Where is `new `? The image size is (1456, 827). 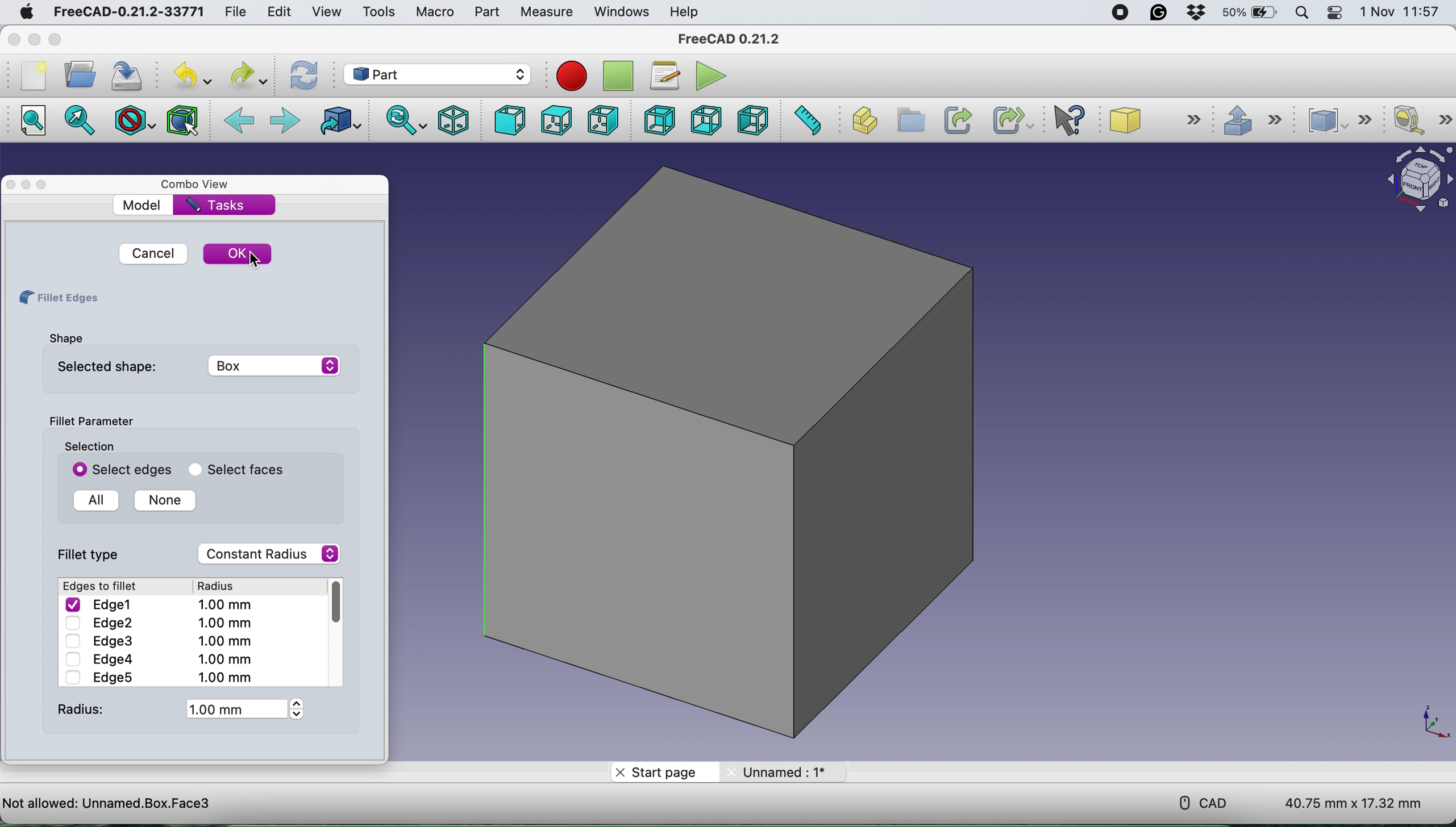 new  is located at coordinates (34, 76).